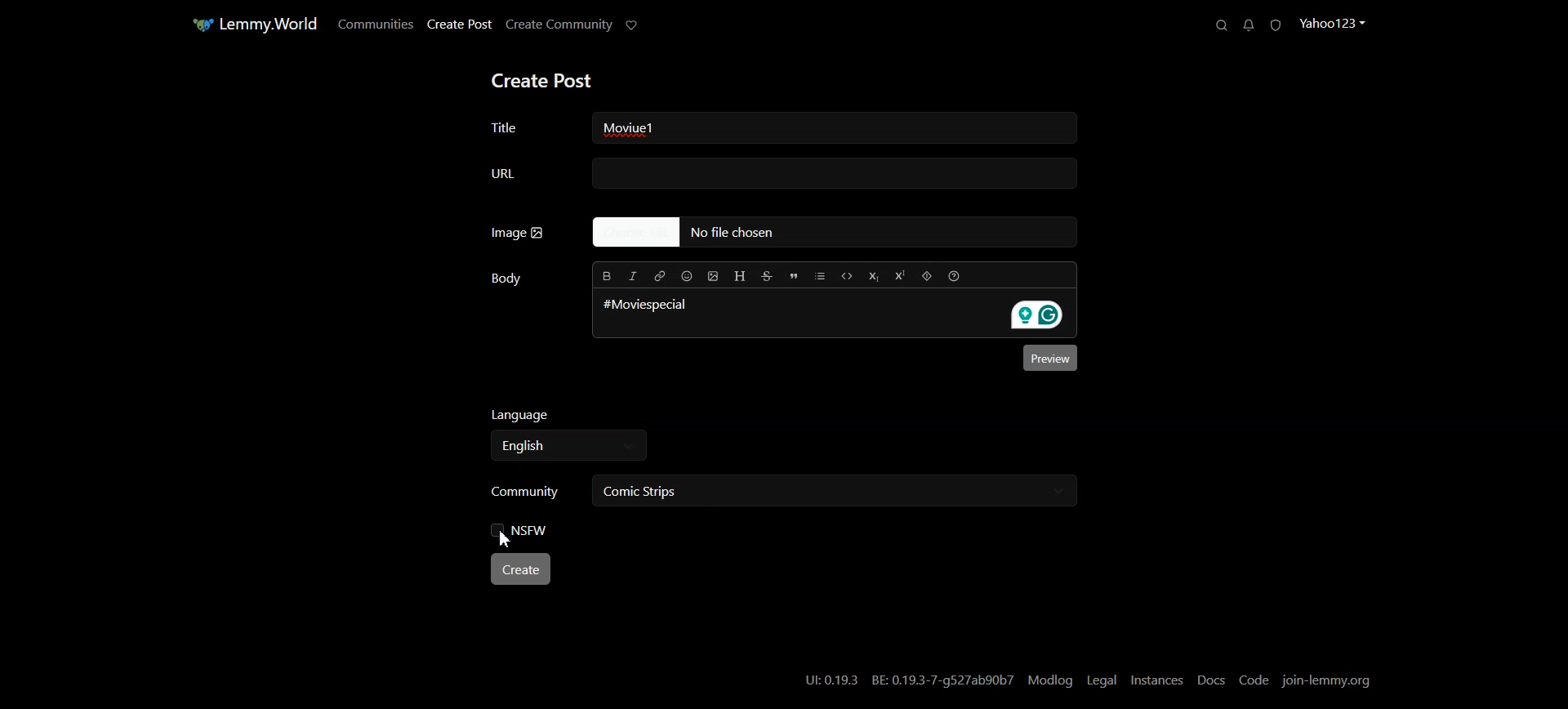 Image resolution: width=1568 pixels, height=709 pixels. Describe the element at coordinates (523, 571) in the screenshot. I see `Create` at that location.